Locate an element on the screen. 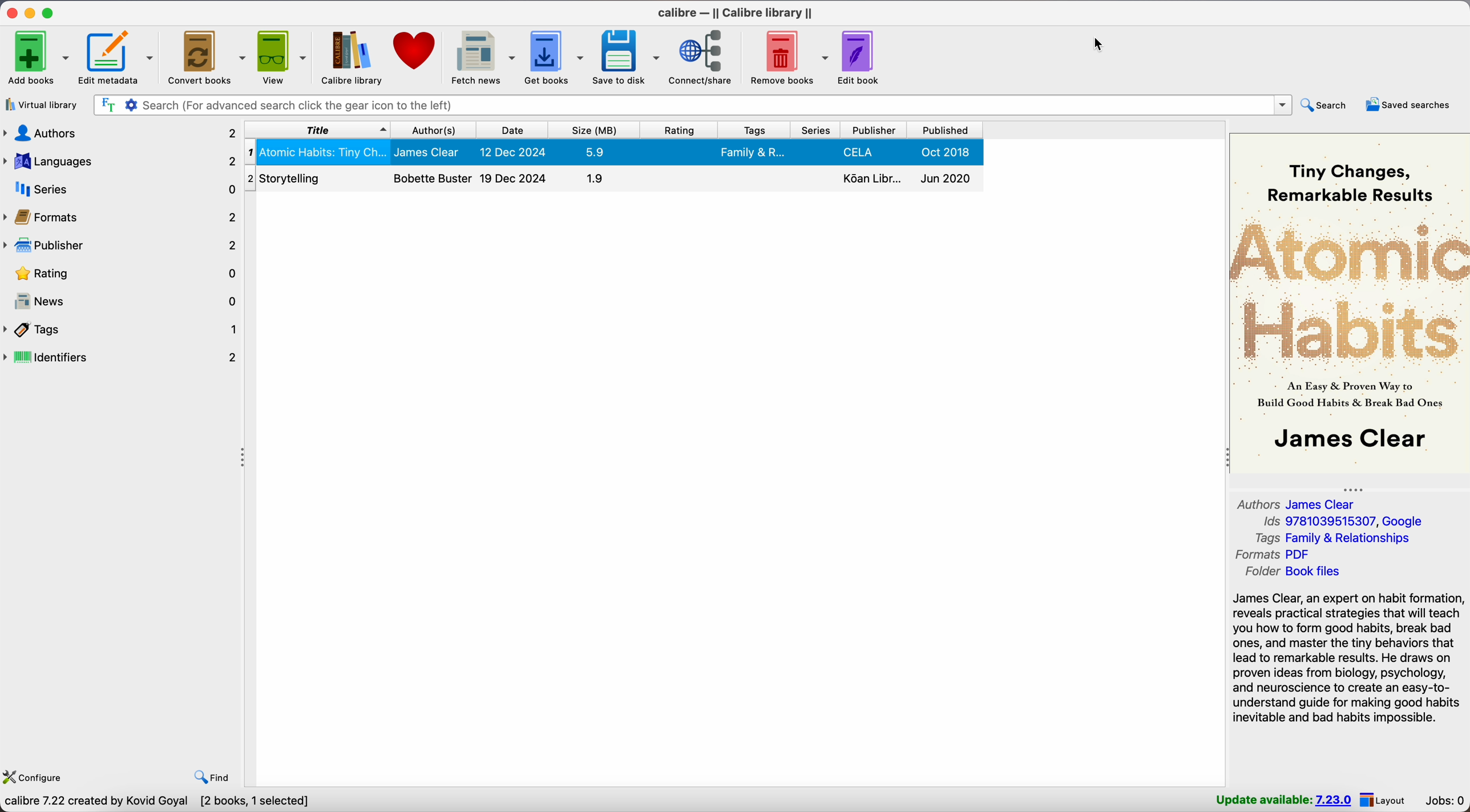  Calibre 7.22 created by Kovid Goyal [2 books] is located at coordinates (127, 803).